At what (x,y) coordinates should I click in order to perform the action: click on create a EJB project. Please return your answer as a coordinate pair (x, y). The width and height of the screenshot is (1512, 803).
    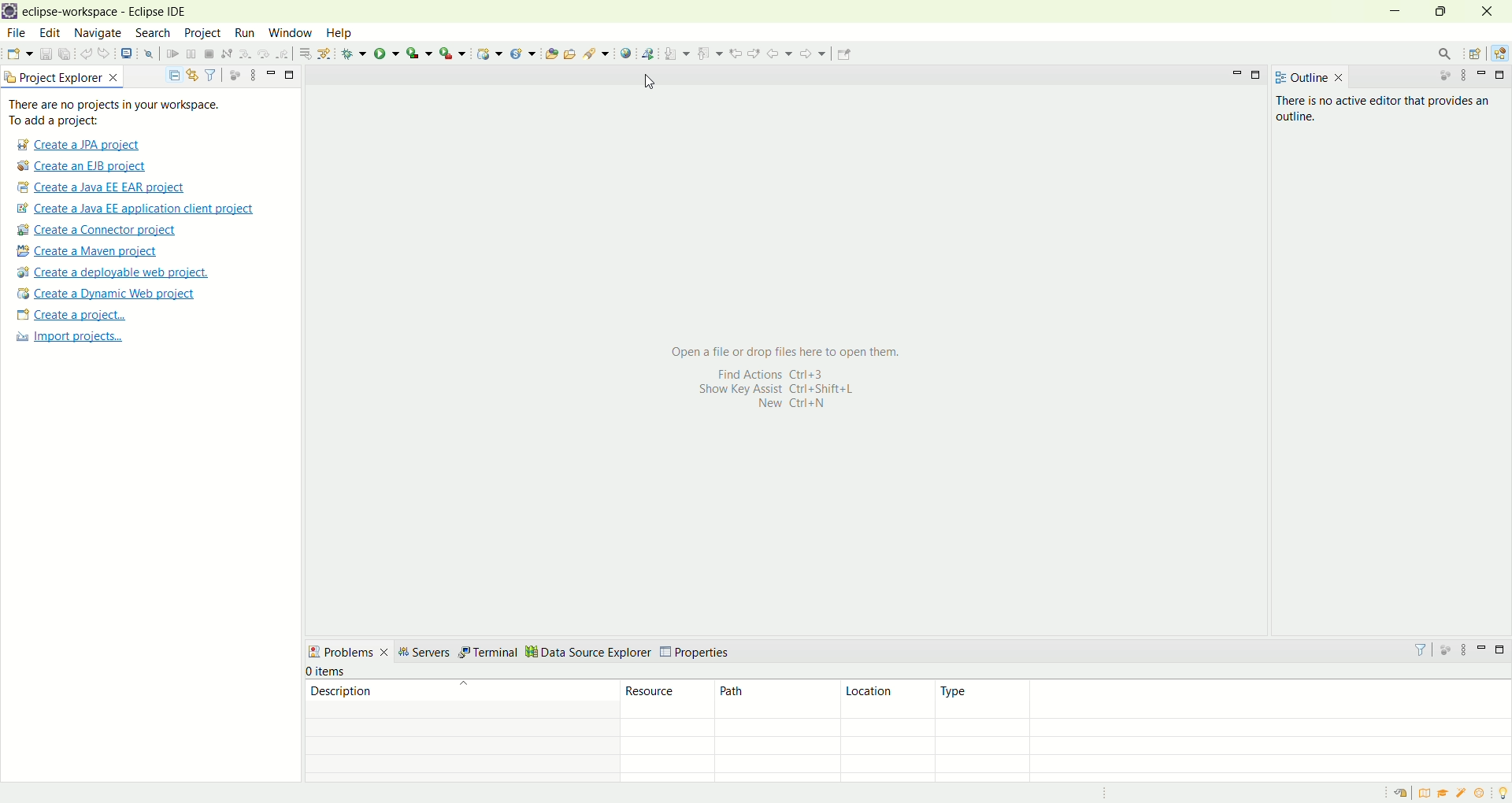
    Looking at the image, I should click on (83, 167).